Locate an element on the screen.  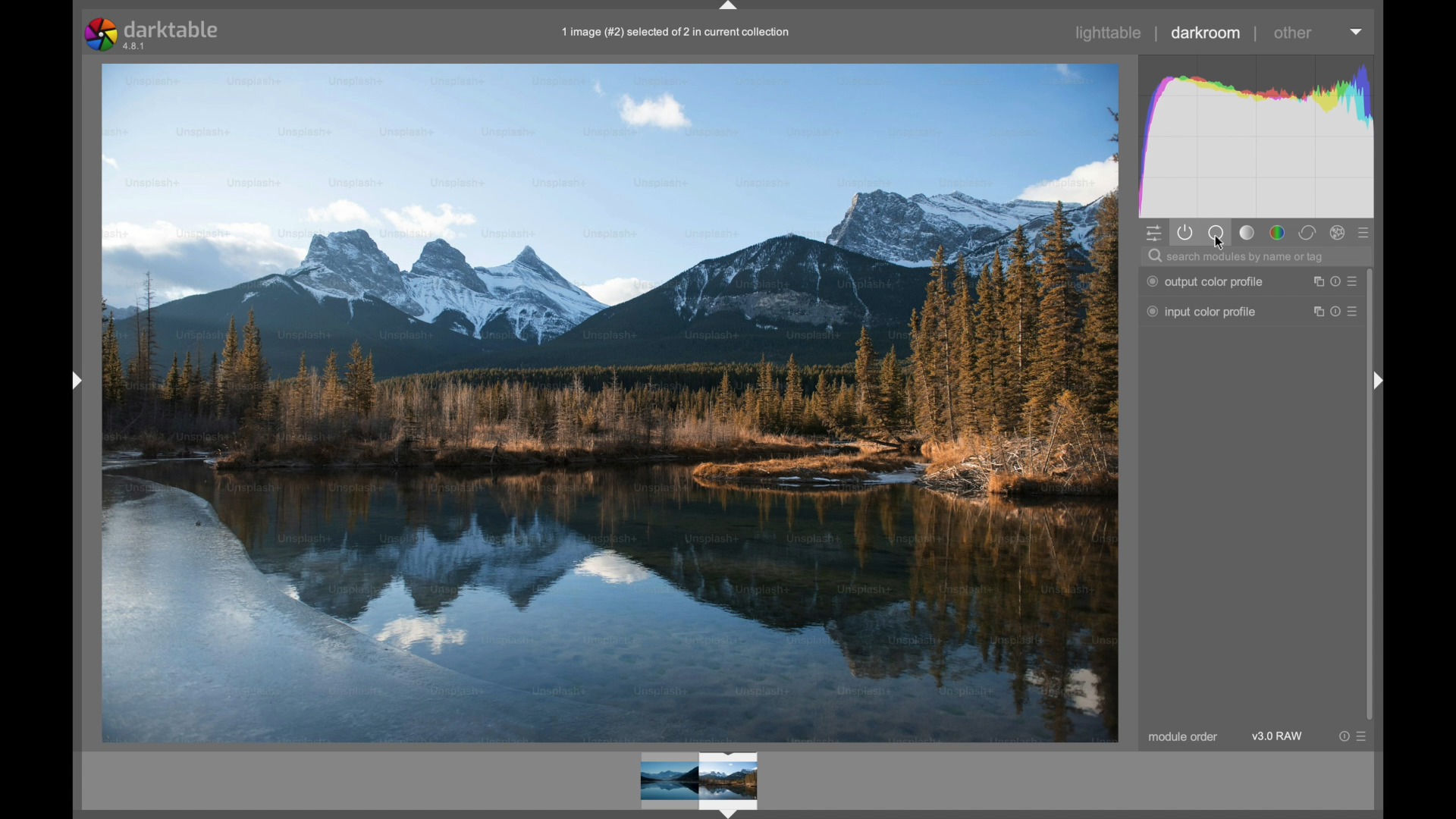
lighttable is located at coordinates (1109, 33).